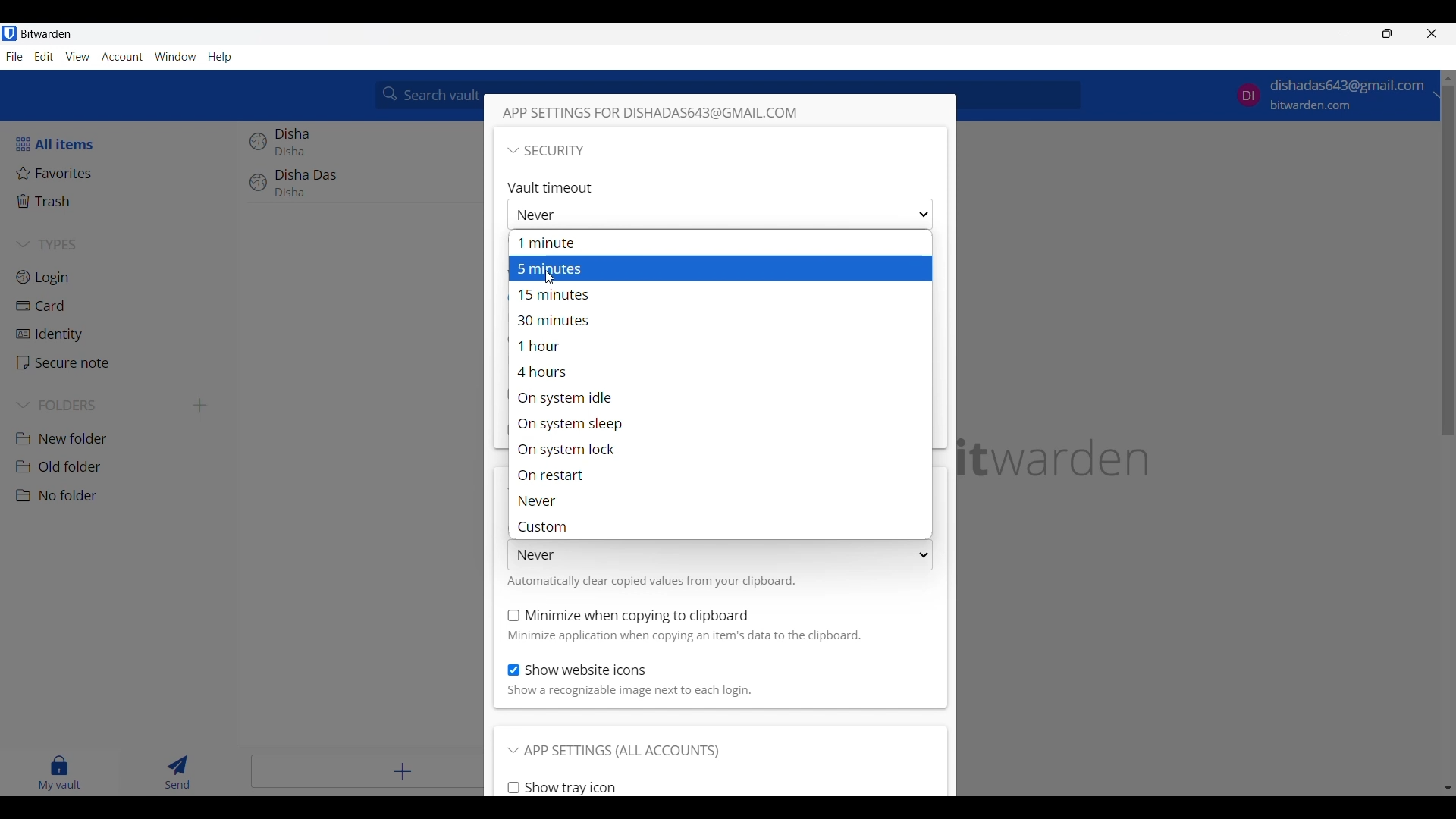  What do you see at coordinates (221, 58) in the screenshot?
I see `Help menu` at bounding box center [221, 58].